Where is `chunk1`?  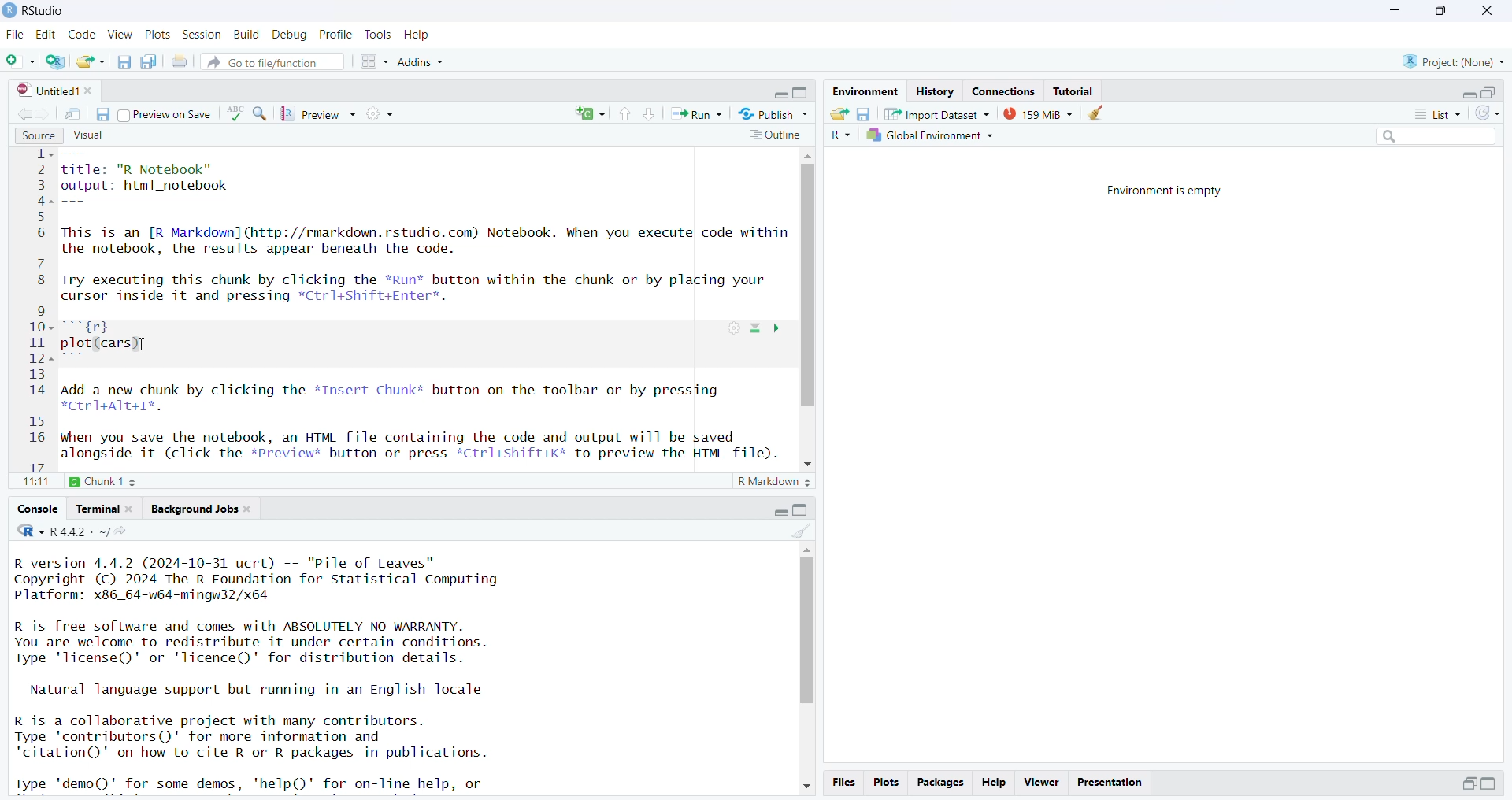 chunk1 is located at coordinates (112, 480).